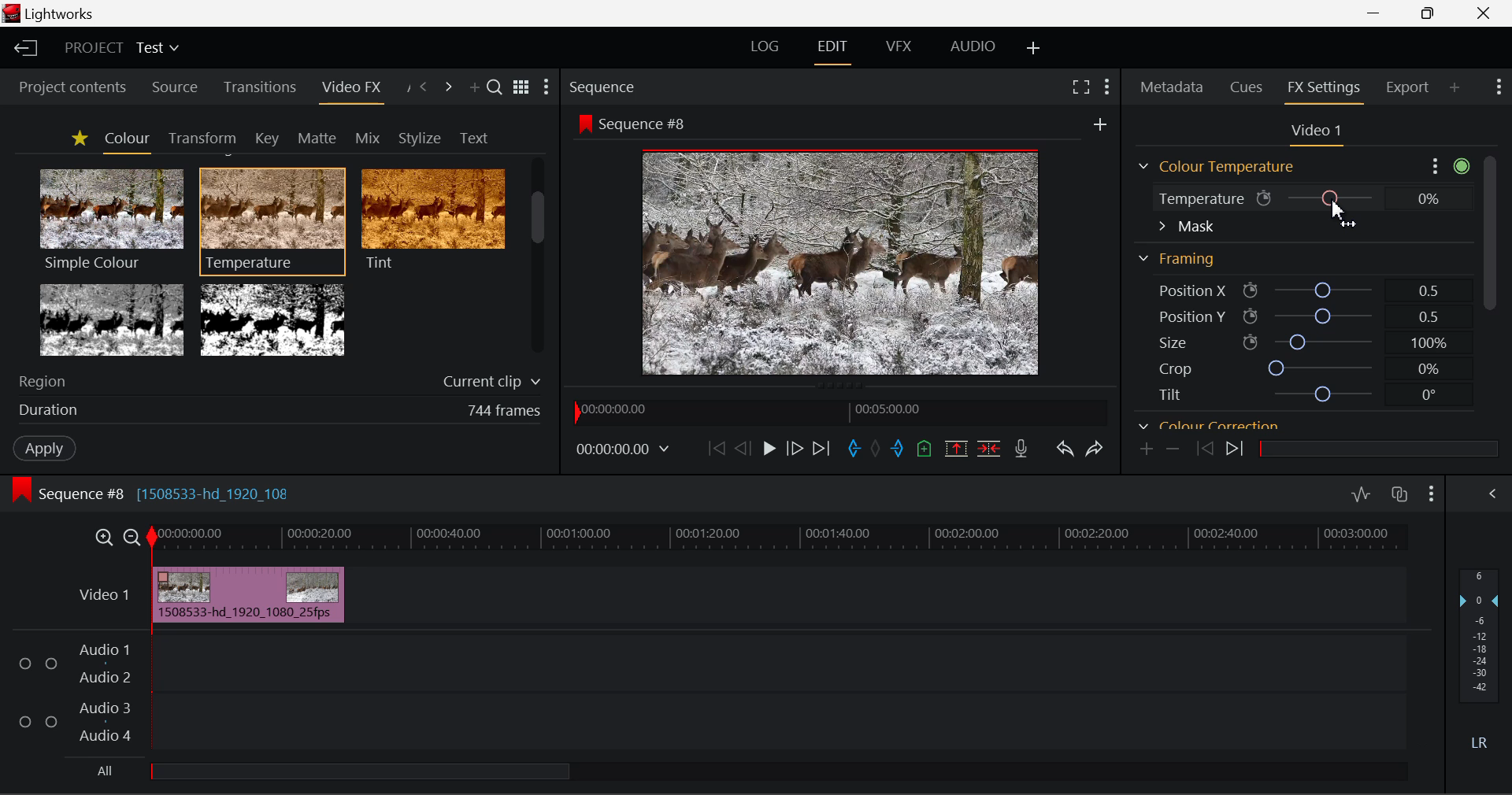  I want to click on Next keyframe, so click(1236, 451).